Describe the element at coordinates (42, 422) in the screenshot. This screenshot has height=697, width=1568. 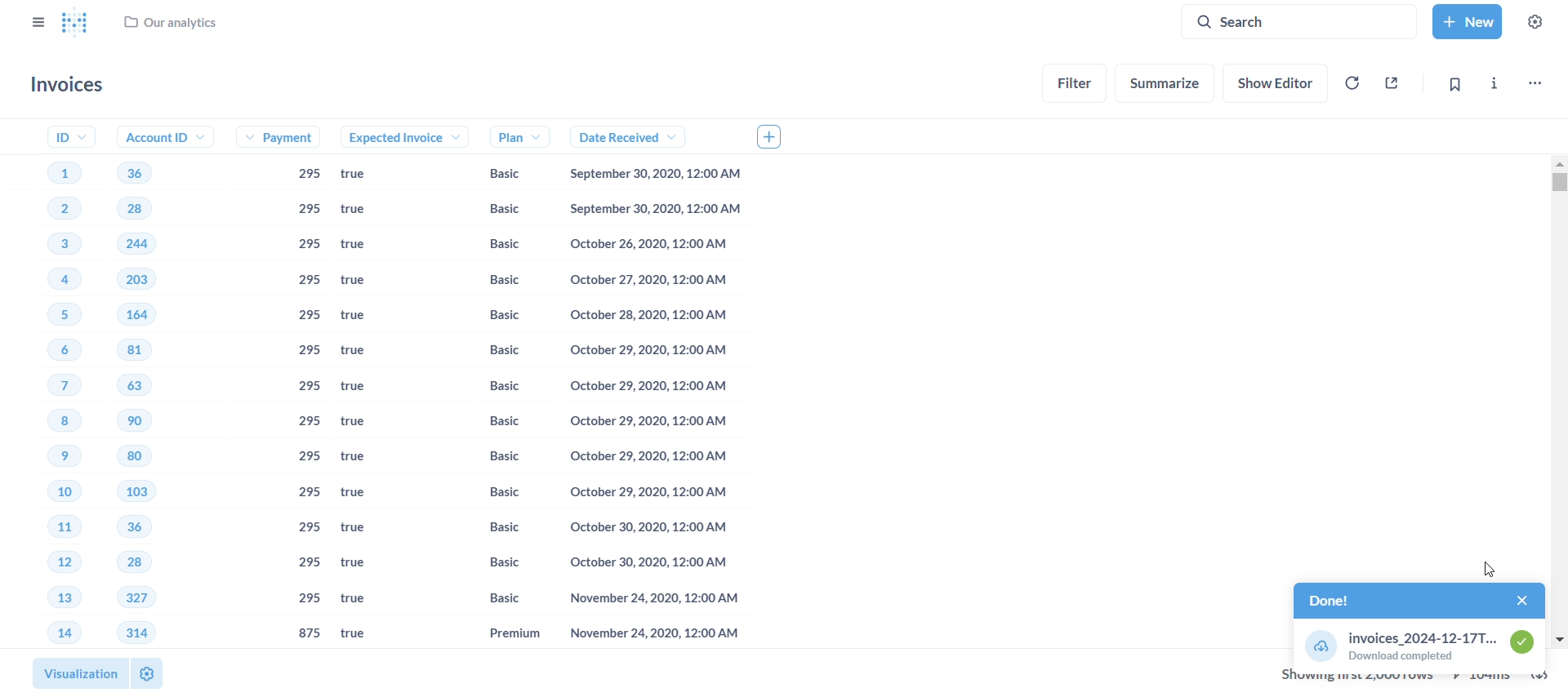
I see `8` at that location.